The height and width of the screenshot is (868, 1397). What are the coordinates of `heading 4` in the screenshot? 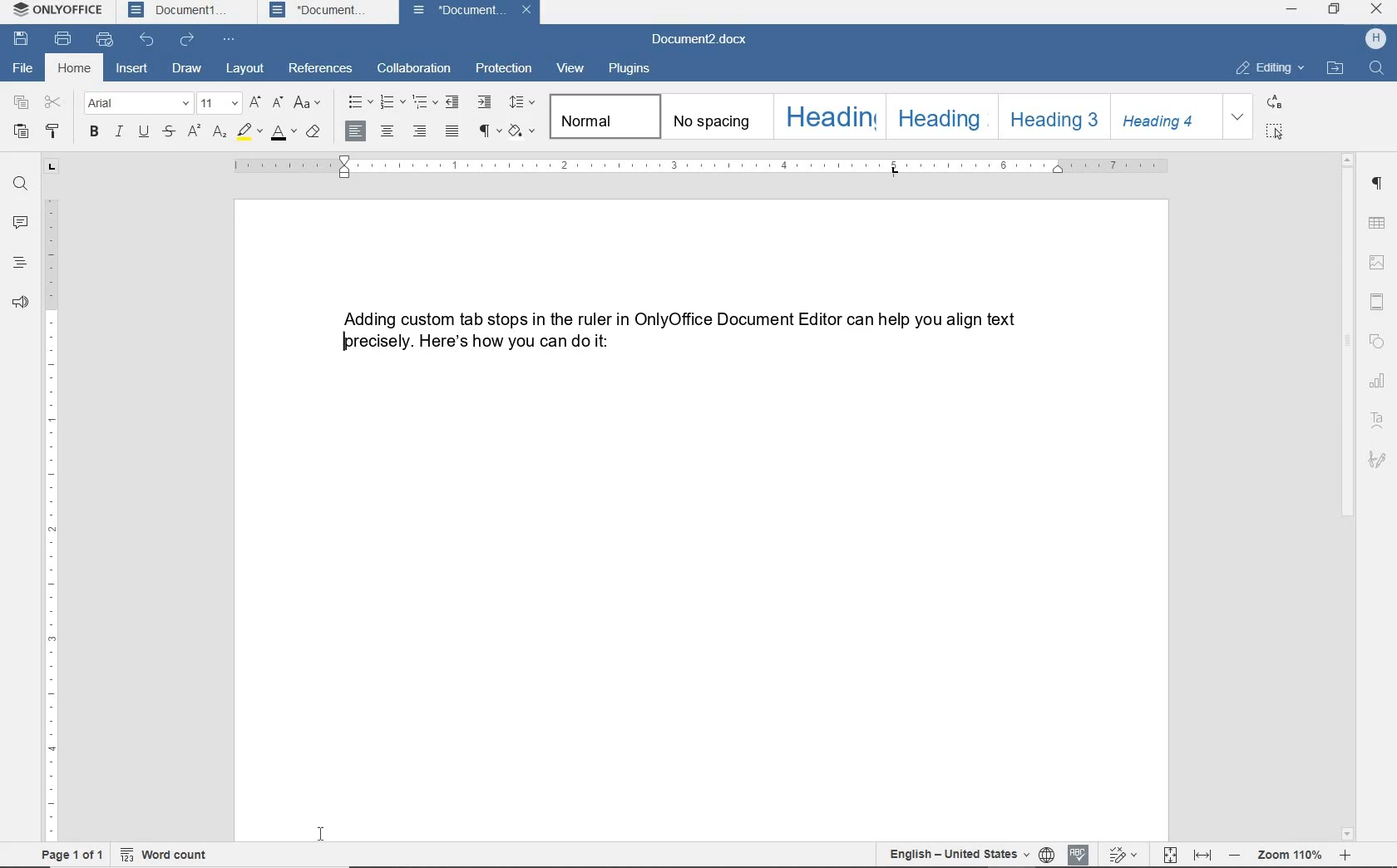 It's located at (1167, 117).